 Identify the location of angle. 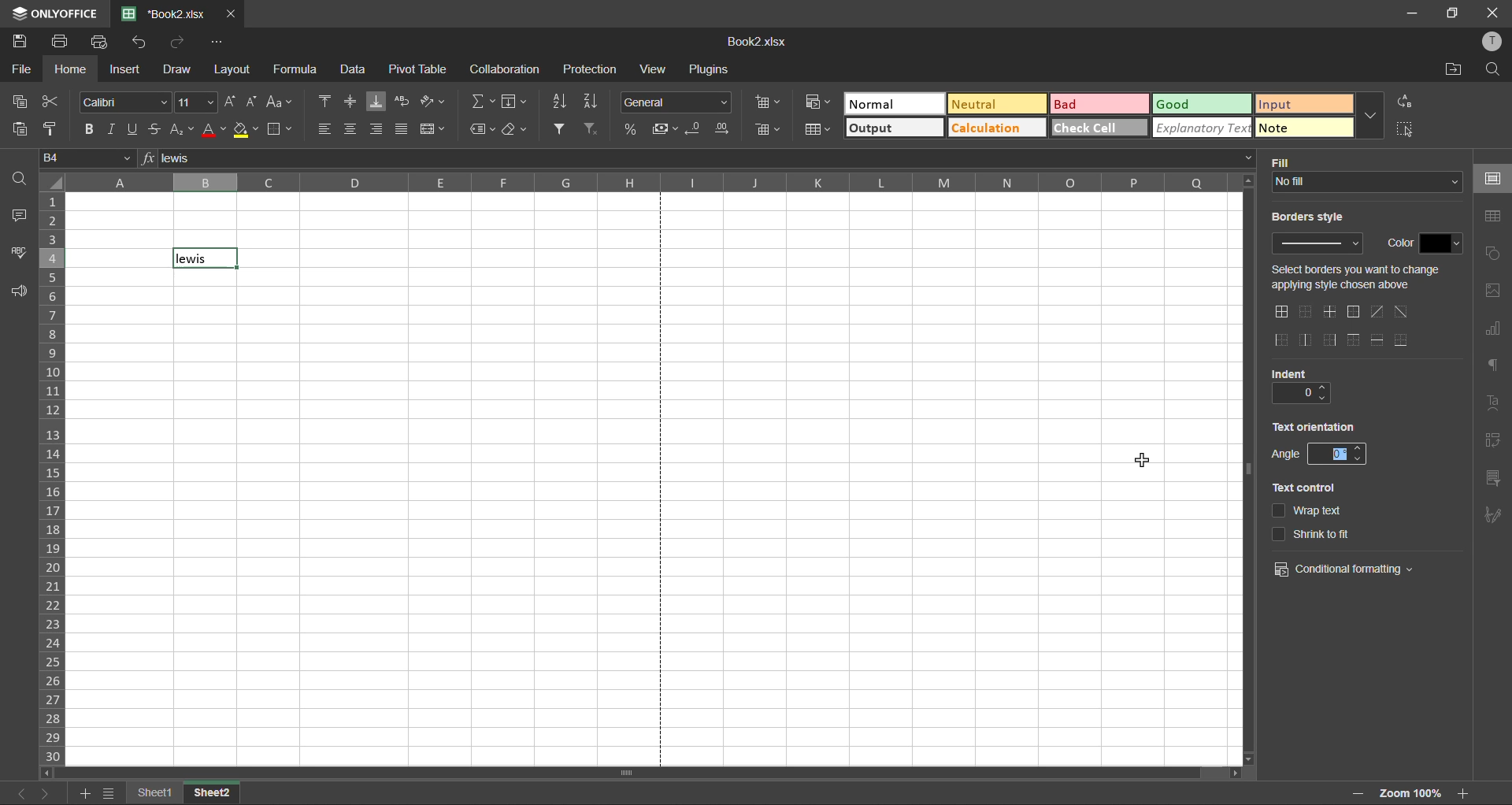
(1284, 456).